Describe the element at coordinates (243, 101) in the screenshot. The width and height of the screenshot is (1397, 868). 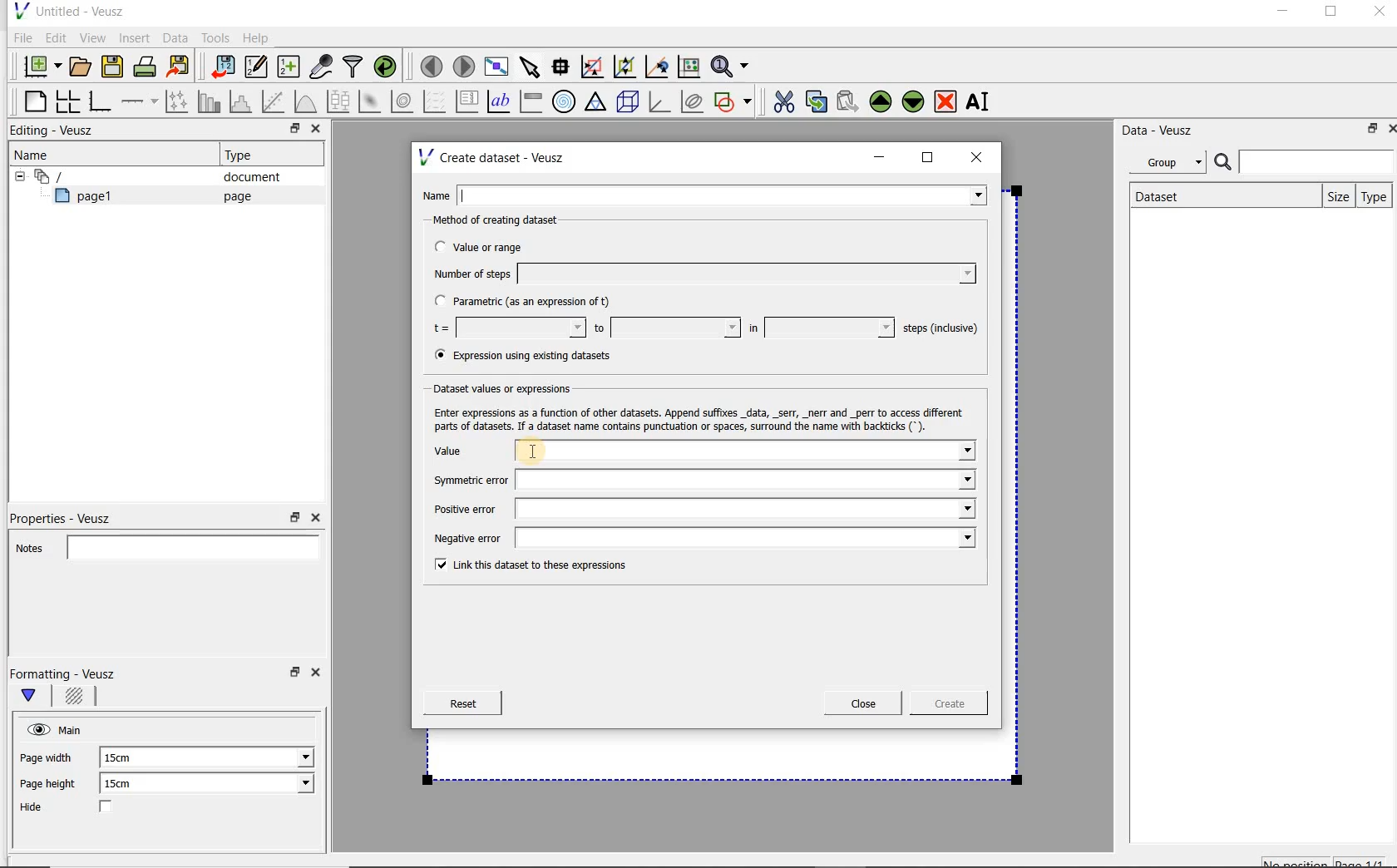
I see `histogram of a dataset` at that location.